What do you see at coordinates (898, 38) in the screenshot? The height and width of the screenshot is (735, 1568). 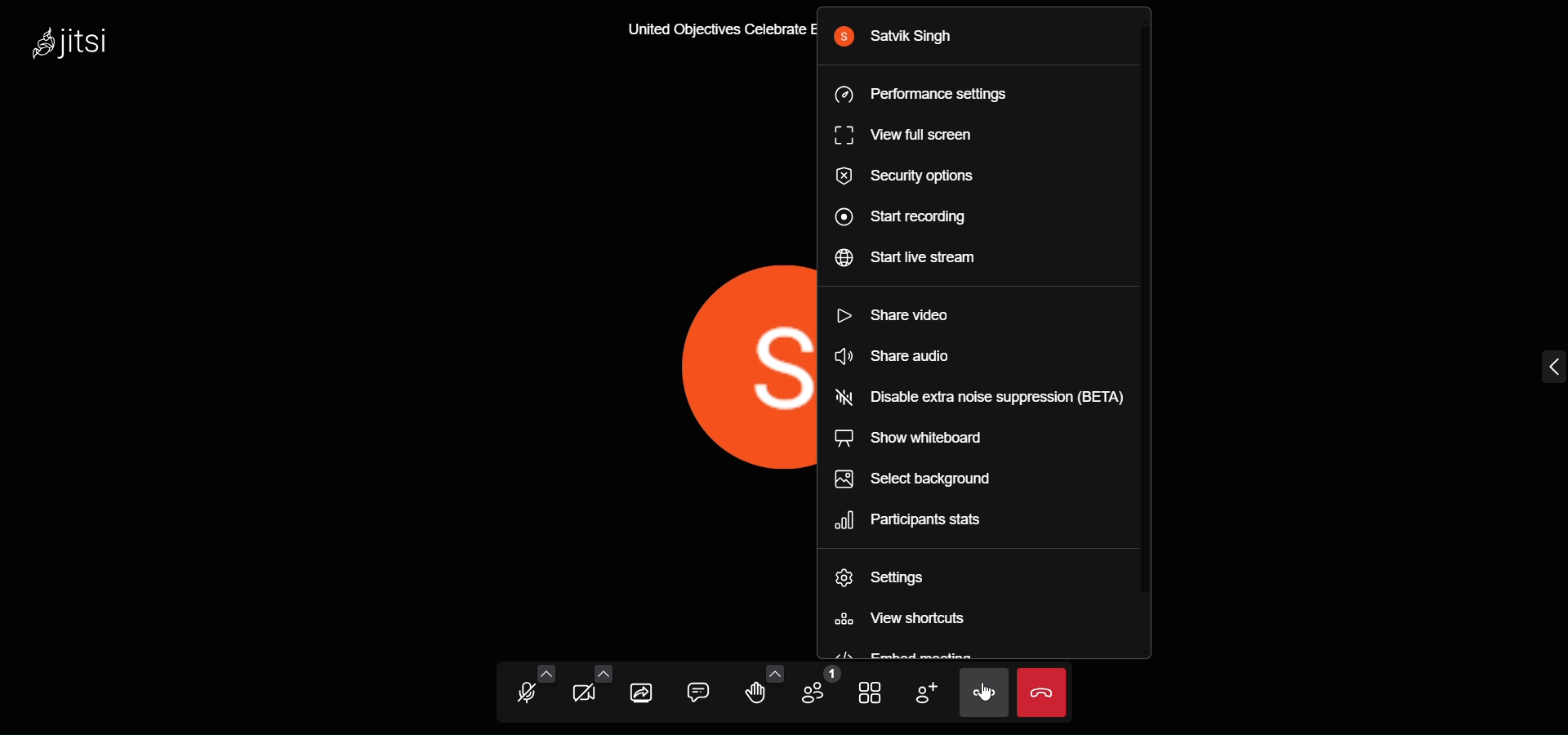 I see `satvik singh` at bounding box center [898, 38].